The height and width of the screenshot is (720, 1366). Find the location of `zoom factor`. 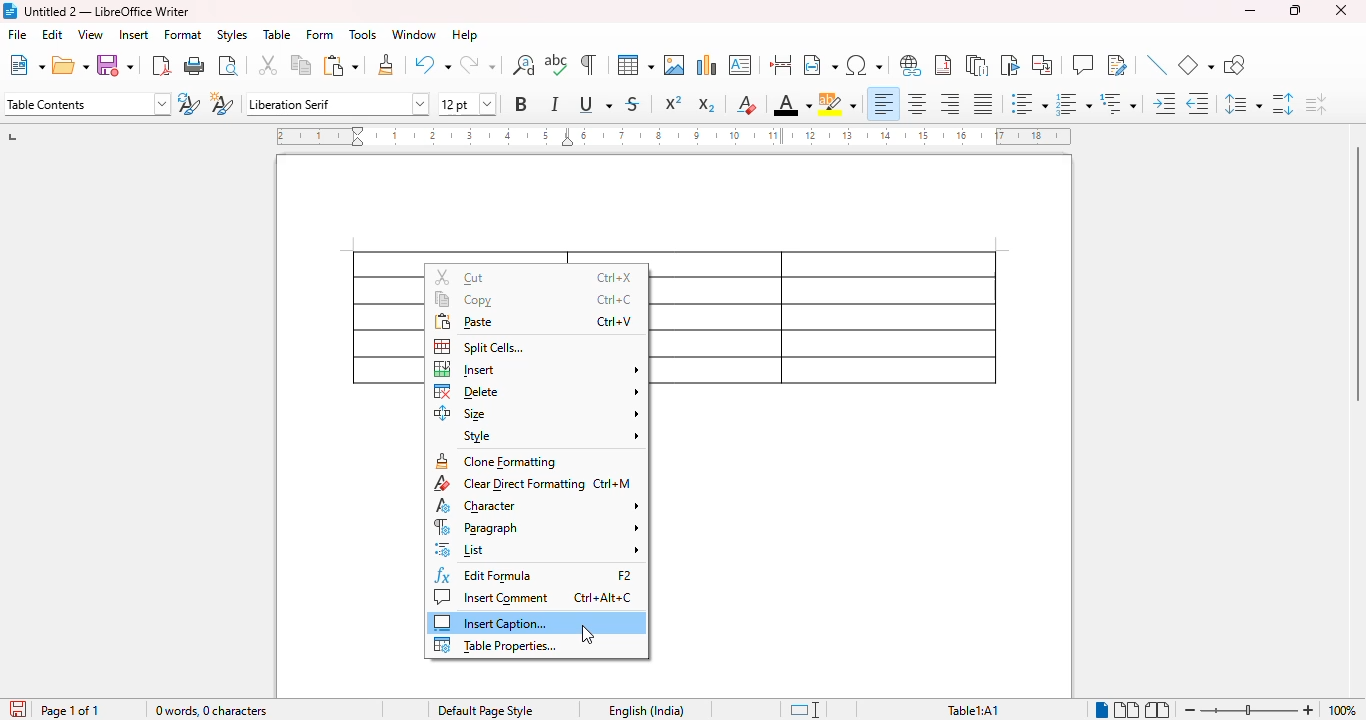

zoom factor is located at coordinates (1342, 710).